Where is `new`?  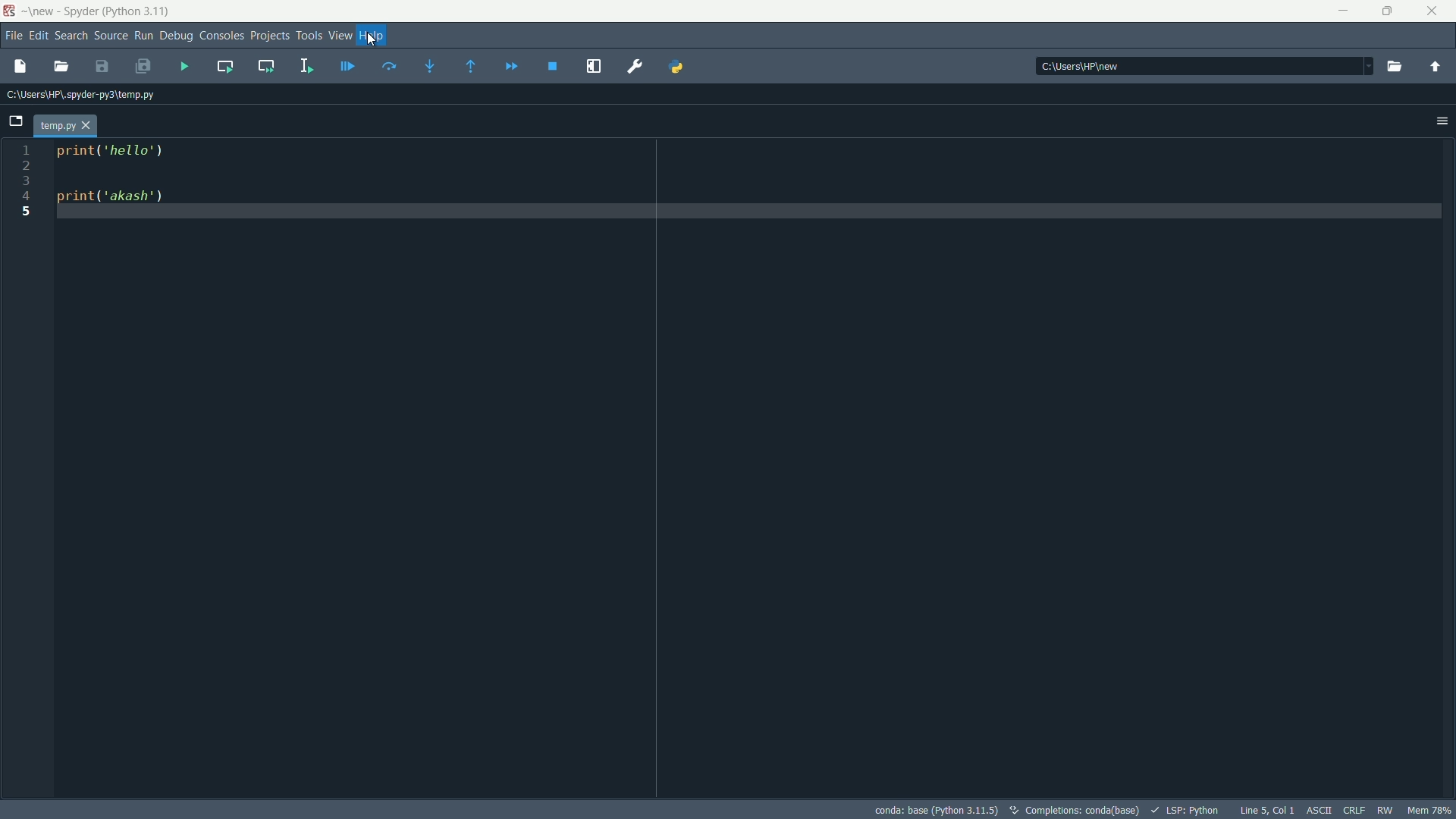 new is located at coordinates (40, 11).